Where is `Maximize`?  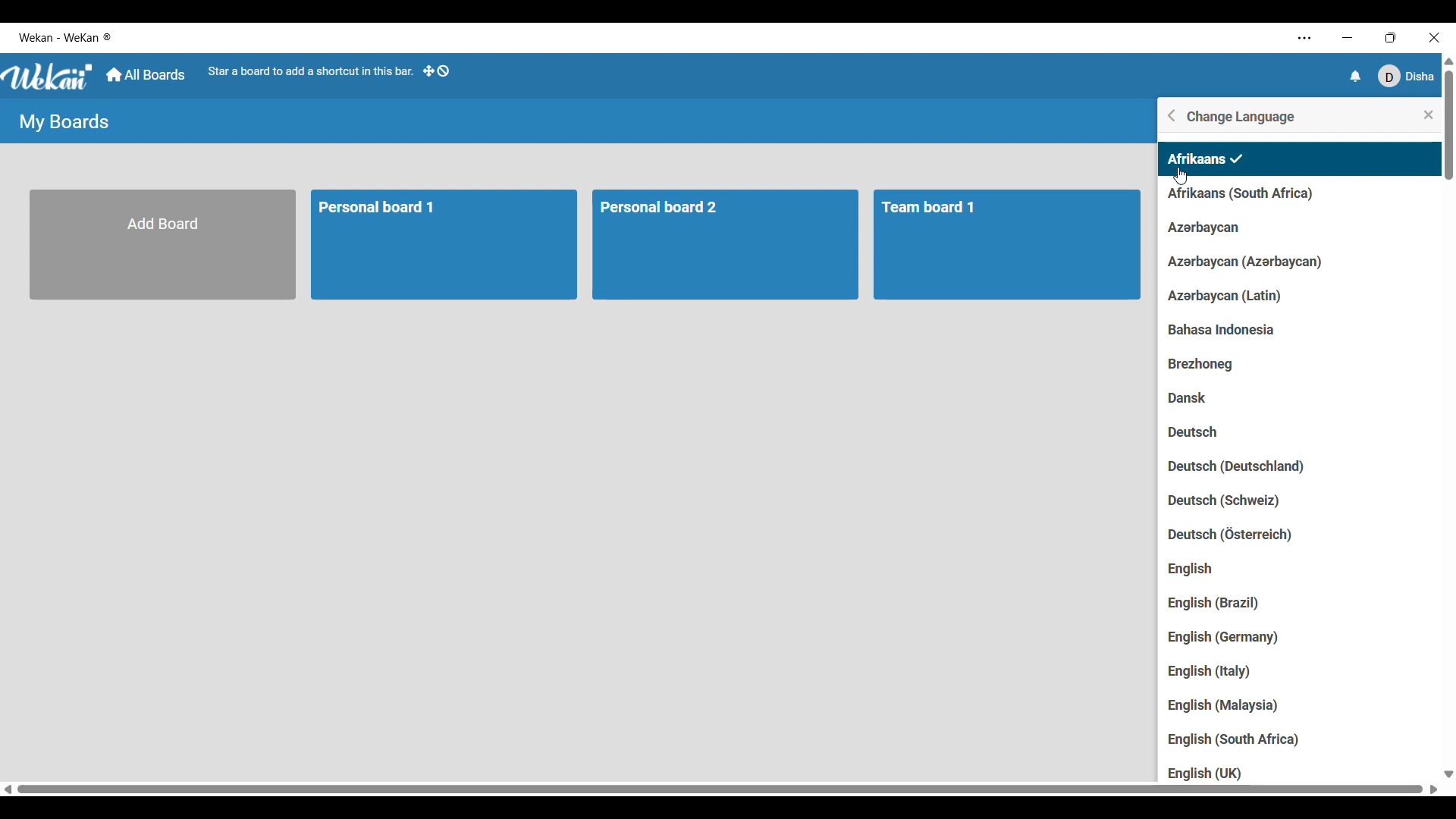
Maximize is located at coordinates (1389, 36).